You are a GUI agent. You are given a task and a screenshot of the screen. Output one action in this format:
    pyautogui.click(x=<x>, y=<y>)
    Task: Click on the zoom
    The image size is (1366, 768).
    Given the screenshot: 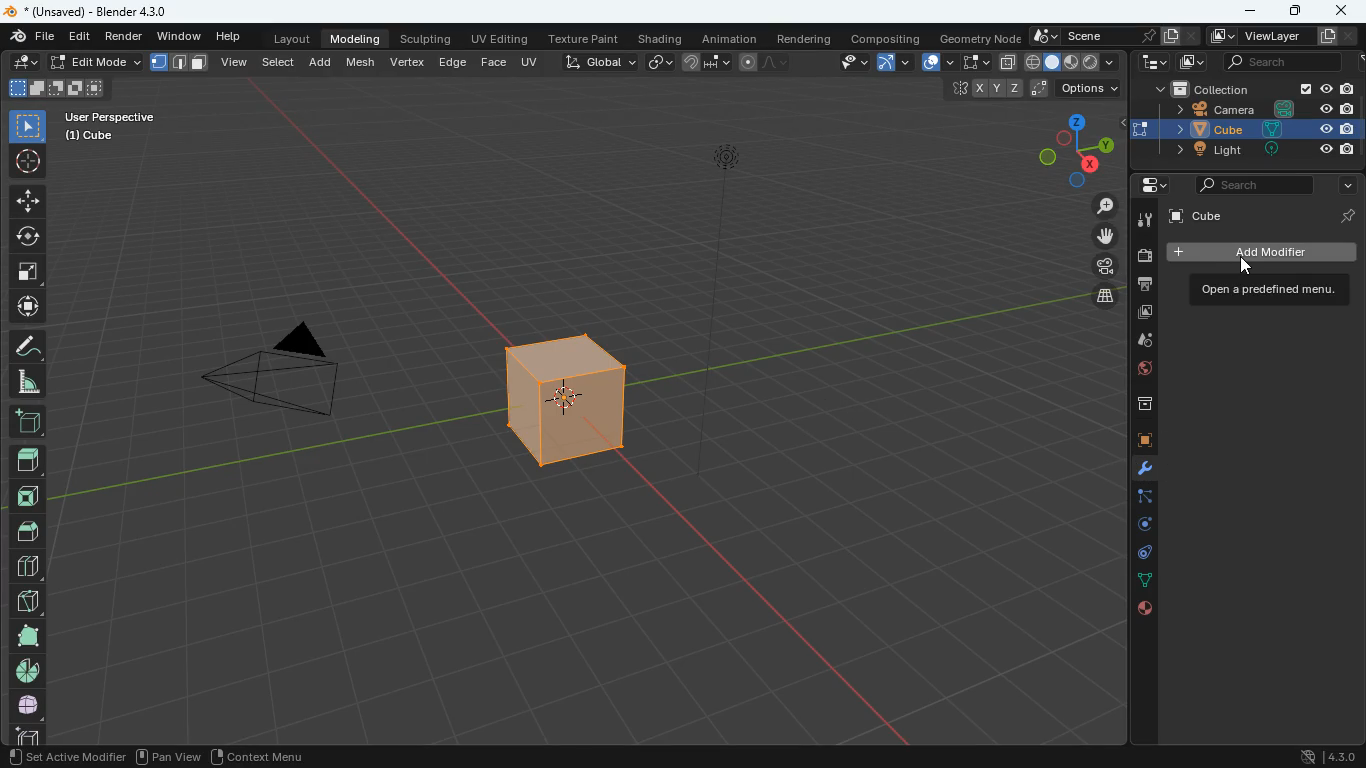 What is the action you would take?
    pyautogui.click(x=1101, y=205)
    